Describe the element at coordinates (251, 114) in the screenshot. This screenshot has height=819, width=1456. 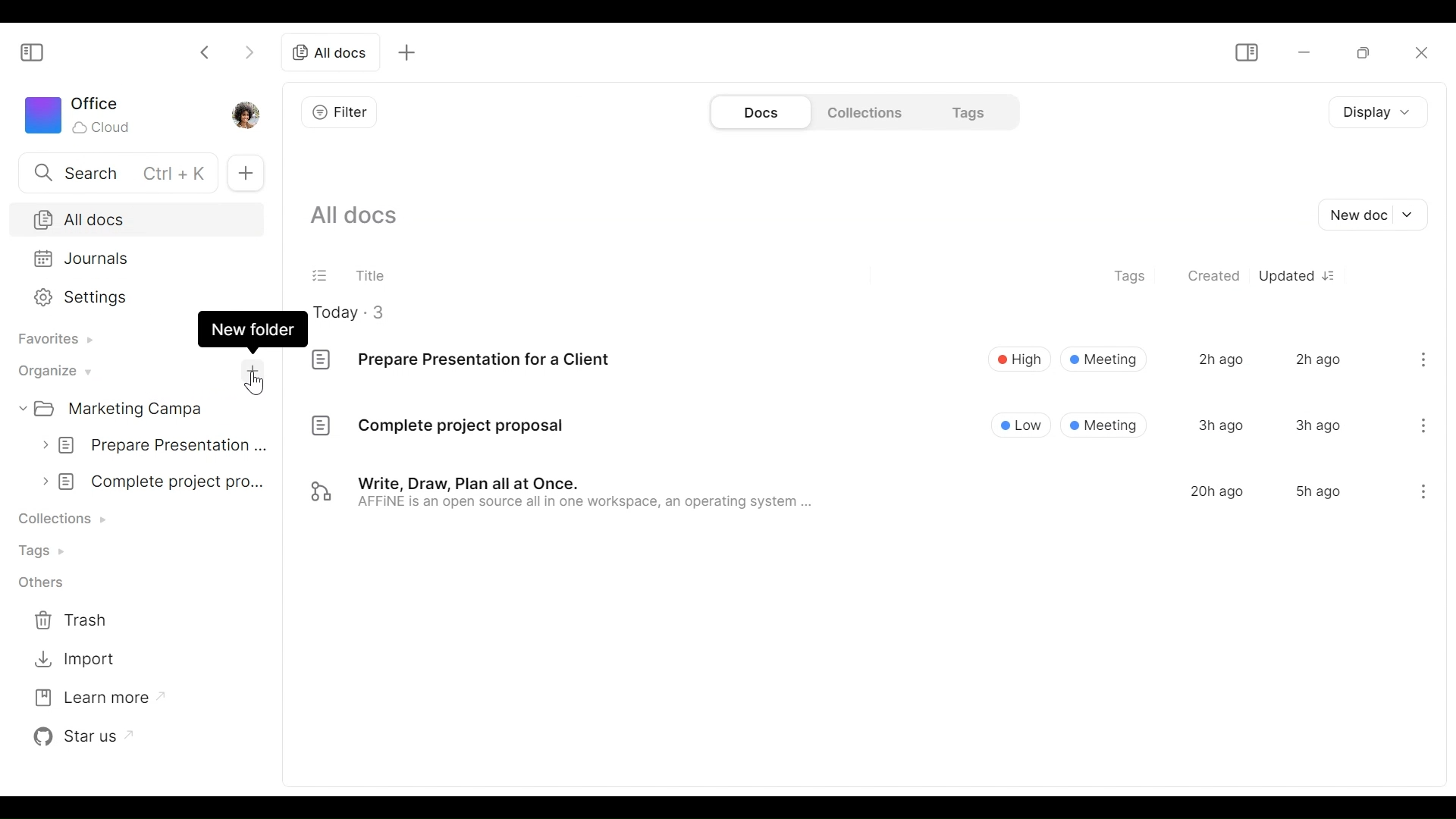
I see `Profile photo` at that location.